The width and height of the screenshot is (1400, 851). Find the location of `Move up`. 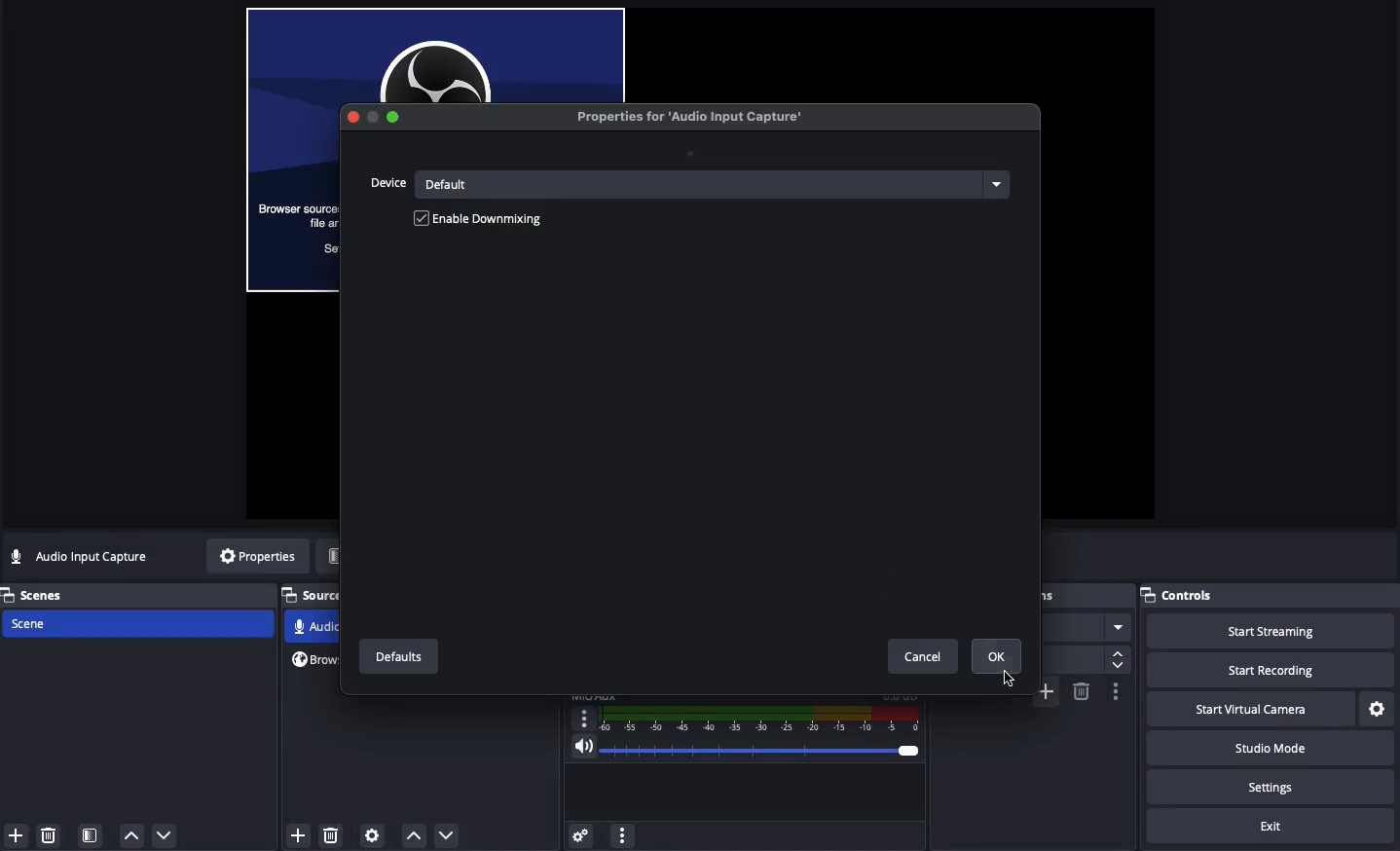

Move up is located at coordinates (413, 835).